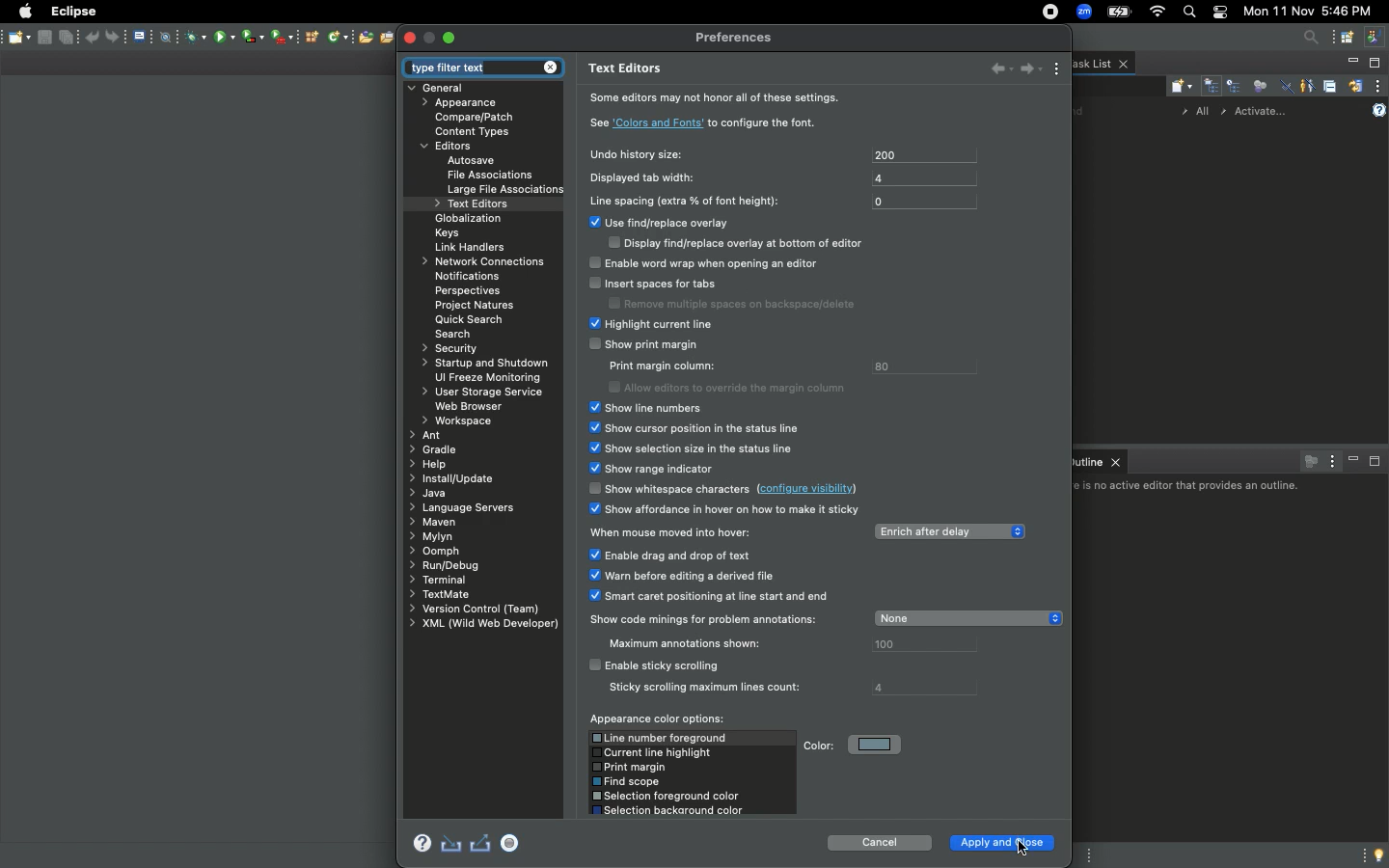 This screenshot has width=1389, height=868. I want to click on XML, so click(479, 626).